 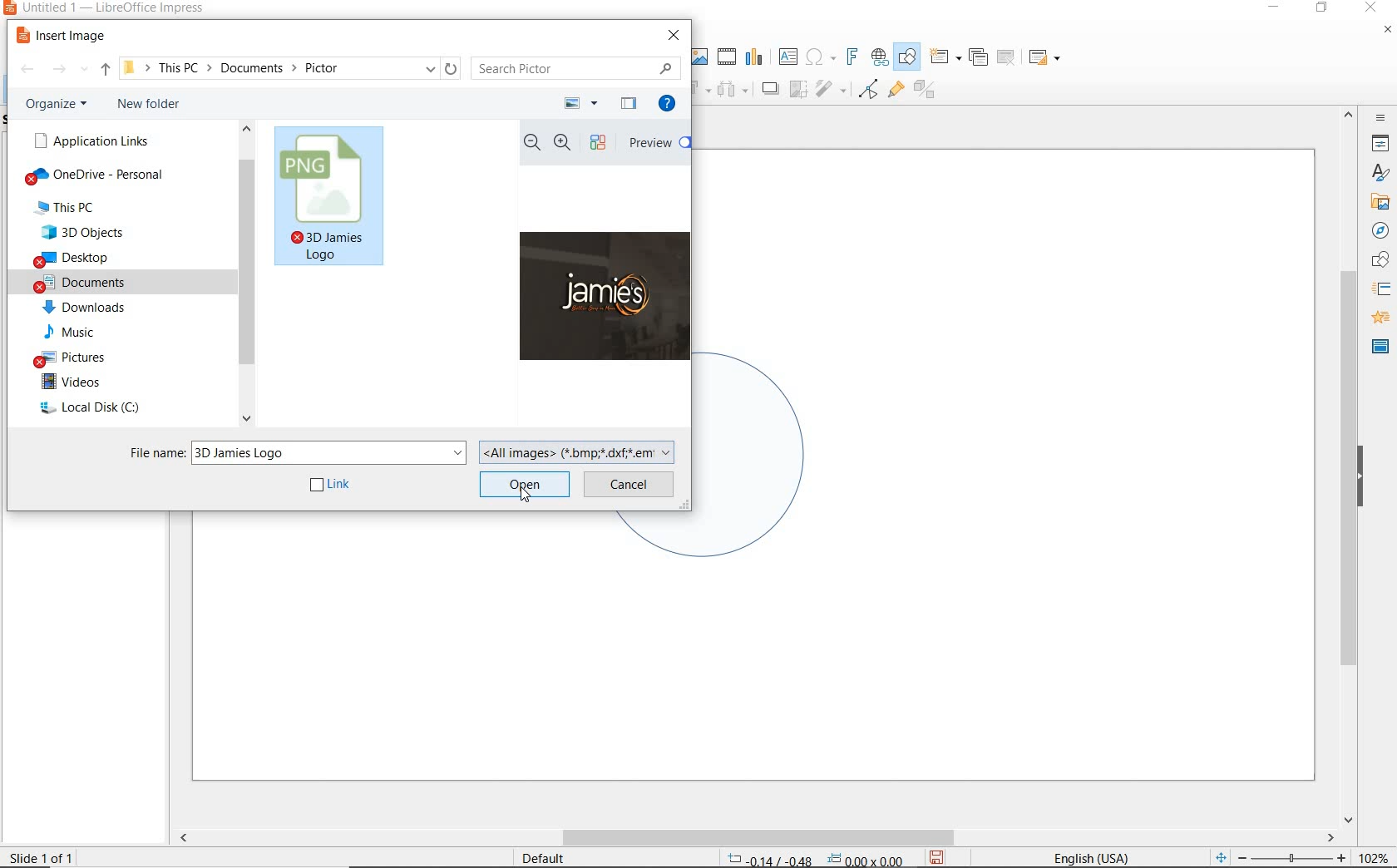 What do you see at coordinates (1006, 58) in the screenshot?
I see `delete slide` at bounding box center [1006, 58].